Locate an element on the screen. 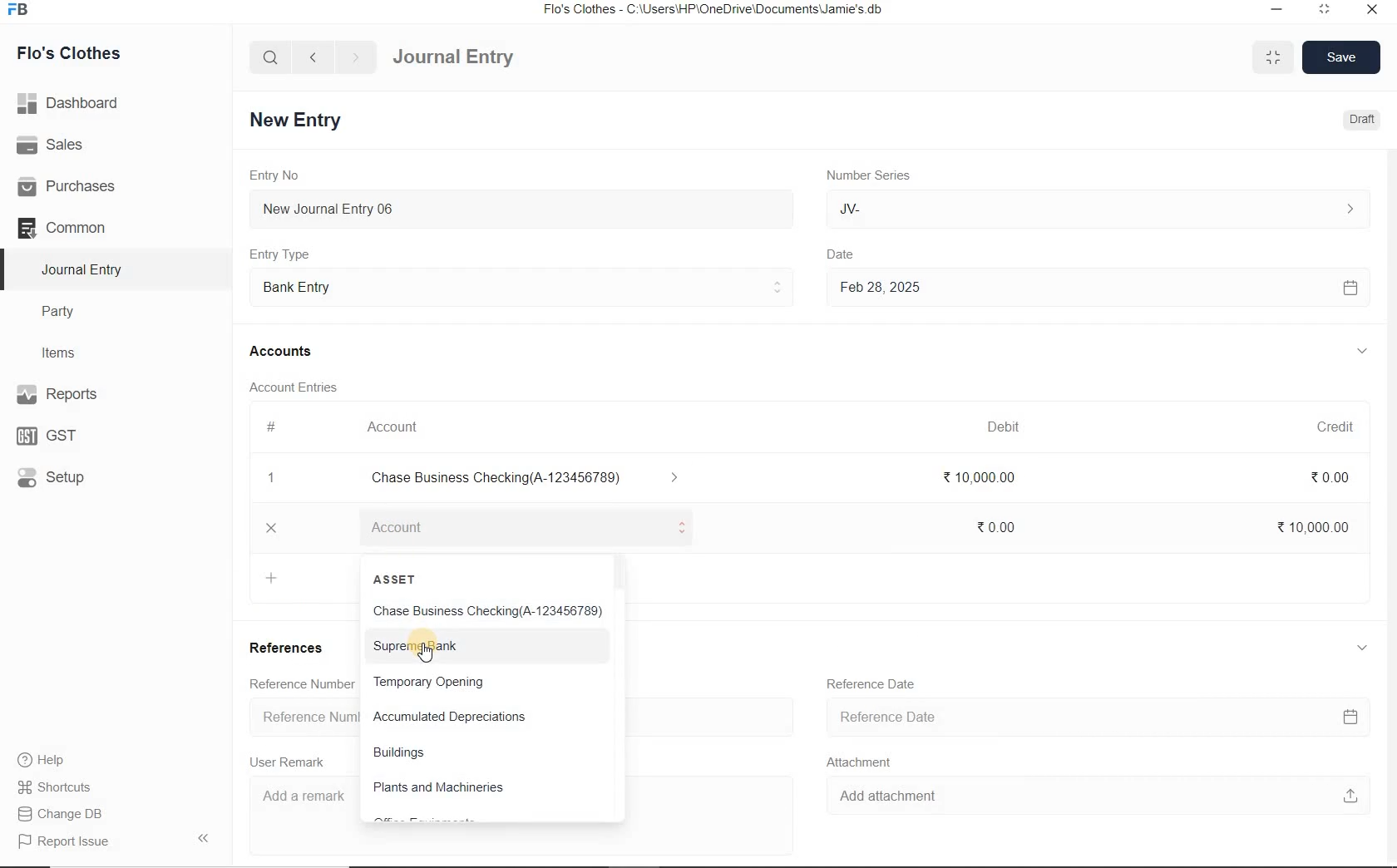 Image resolution: width=1397 pixels, height=868 pixels. collapse is located at coordinates (1359, 645).